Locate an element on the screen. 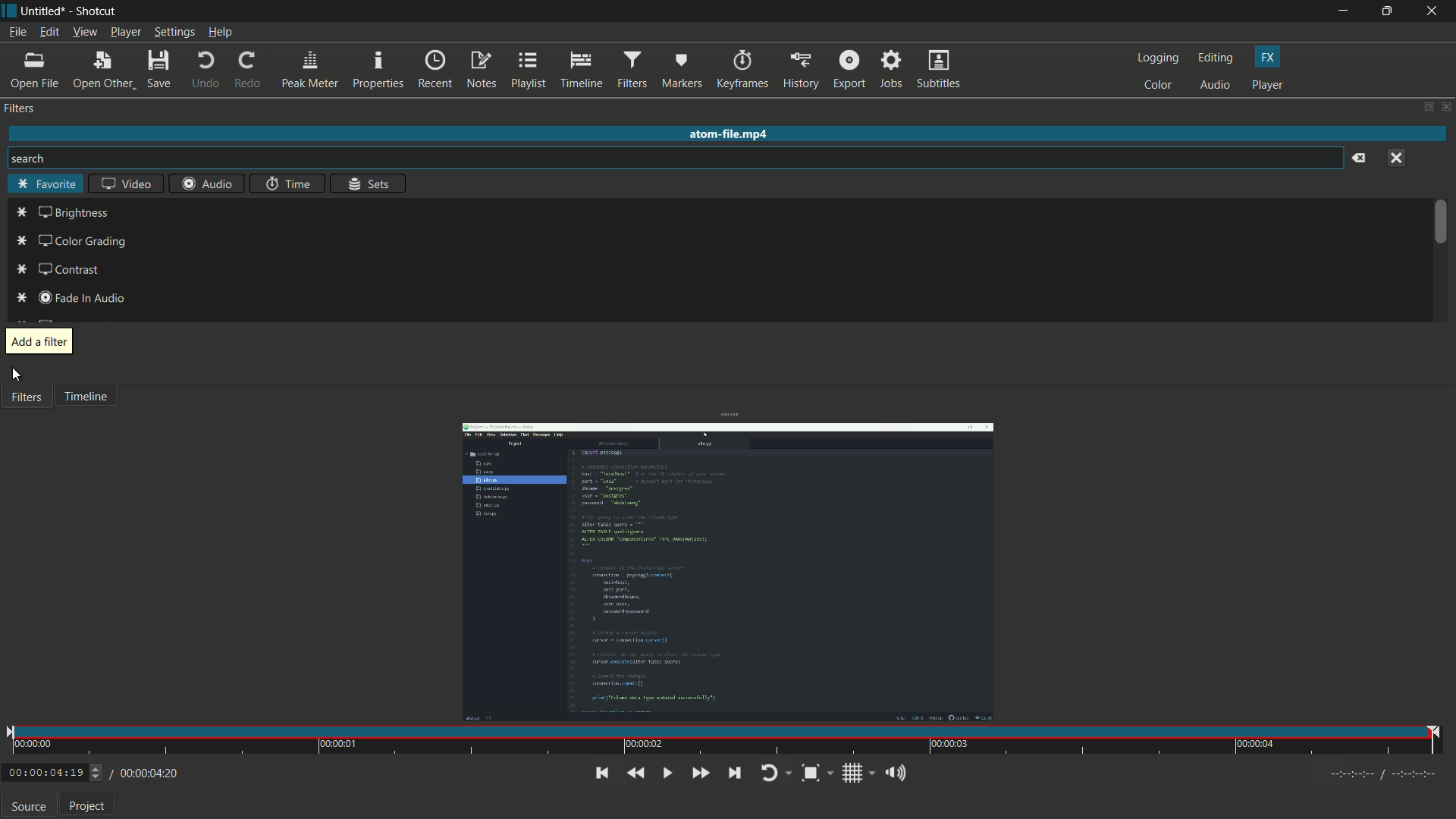  color is located at coordinates (1159, 86).